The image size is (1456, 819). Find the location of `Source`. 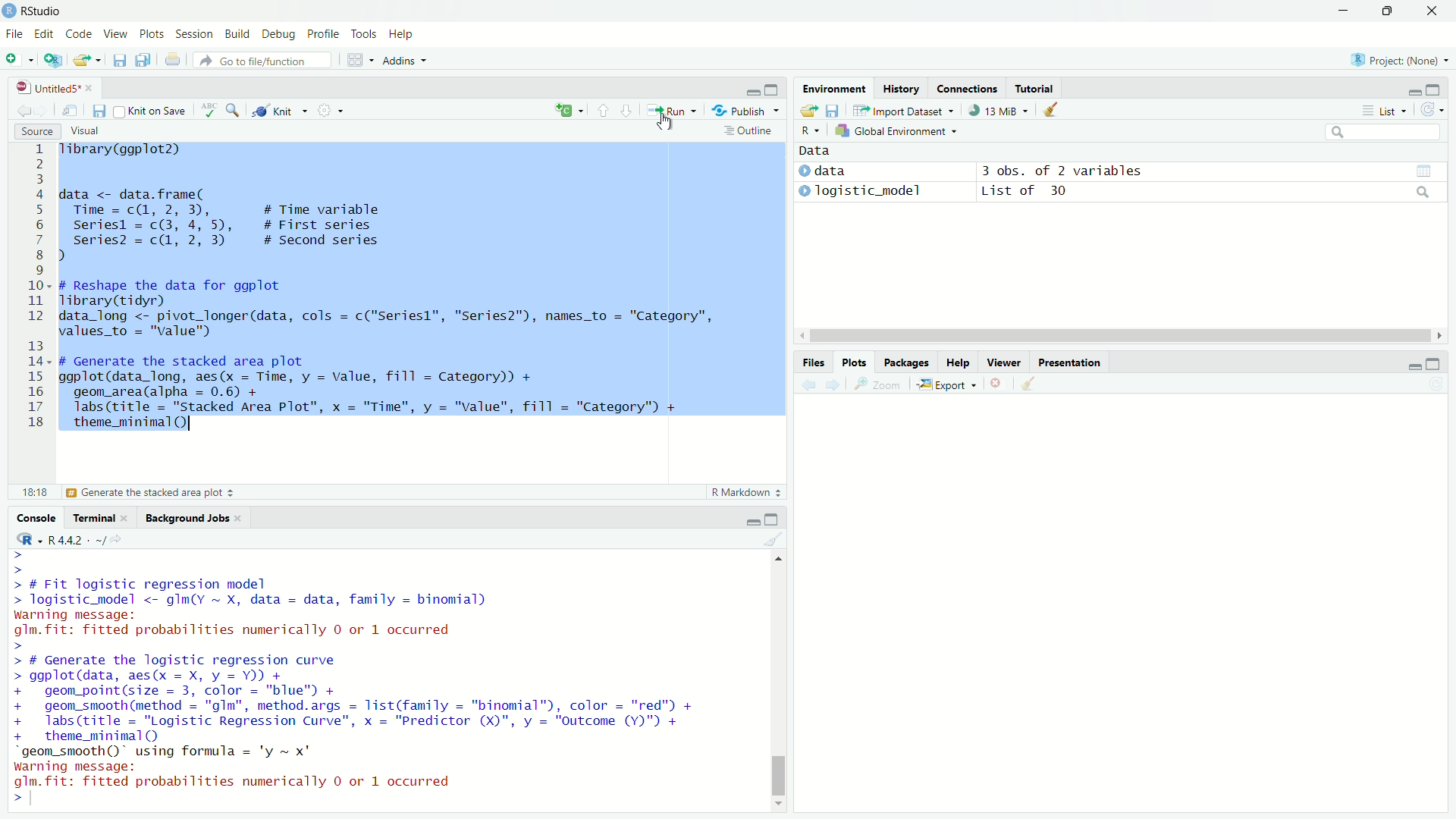

Source is located at coordinates (39, 129).